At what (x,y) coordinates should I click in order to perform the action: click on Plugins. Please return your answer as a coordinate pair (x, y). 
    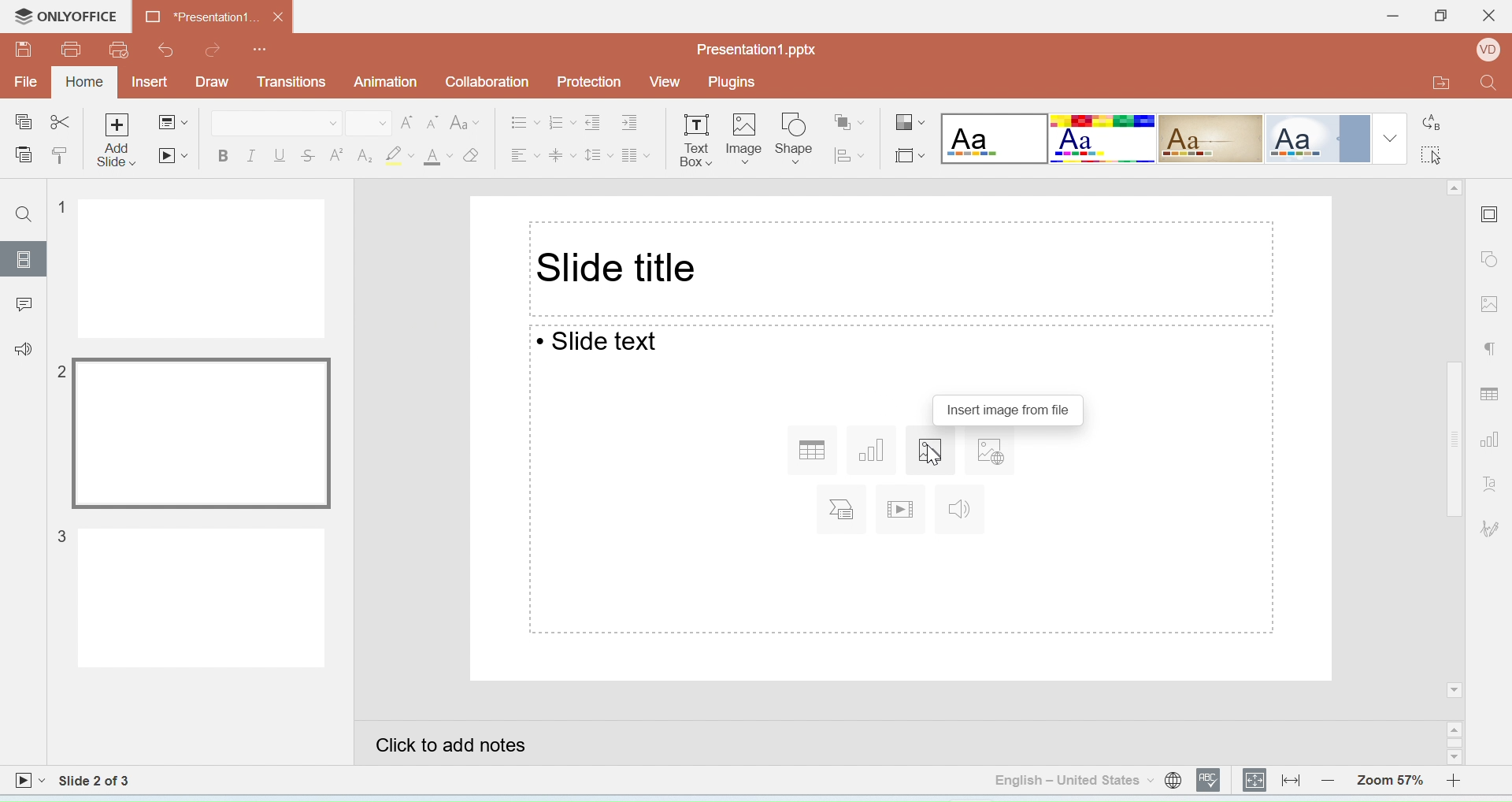
    Looking at the image, I should click on (736, 82).